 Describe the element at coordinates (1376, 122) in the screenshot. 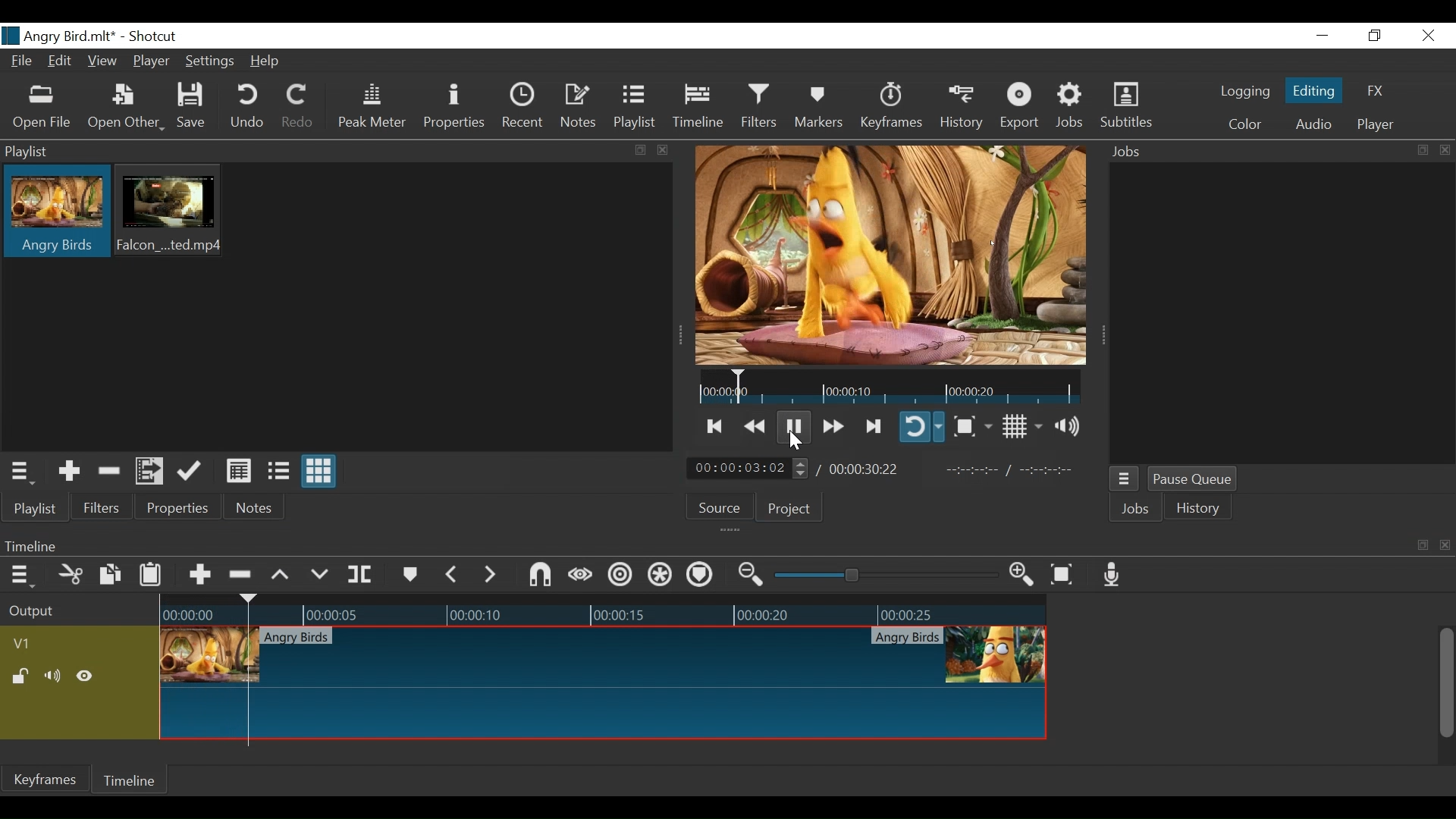

I see `Player` at that location.